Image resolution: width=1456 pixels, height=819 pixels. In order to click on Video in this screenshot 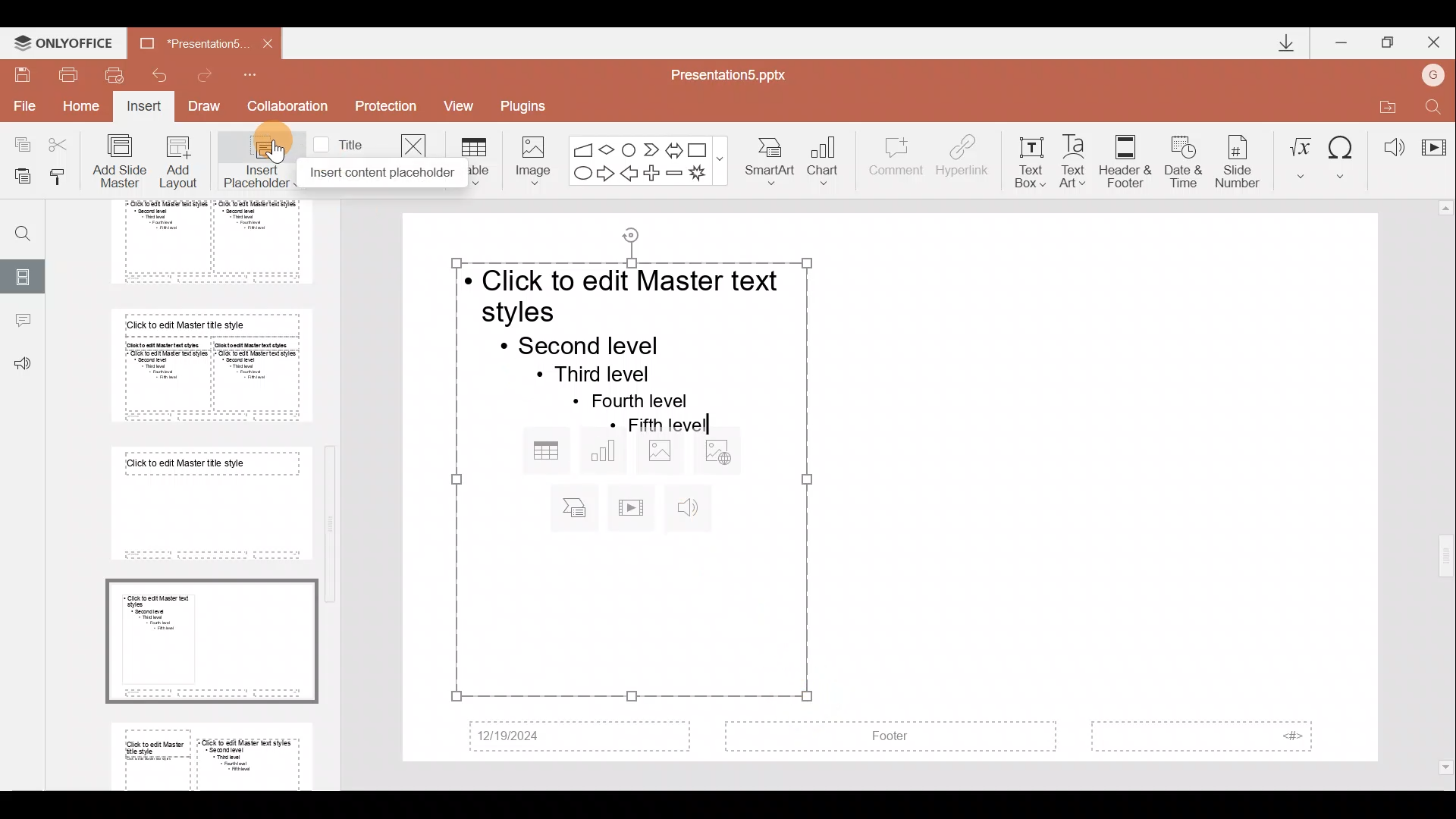, I will do `click(1433, 140)`.